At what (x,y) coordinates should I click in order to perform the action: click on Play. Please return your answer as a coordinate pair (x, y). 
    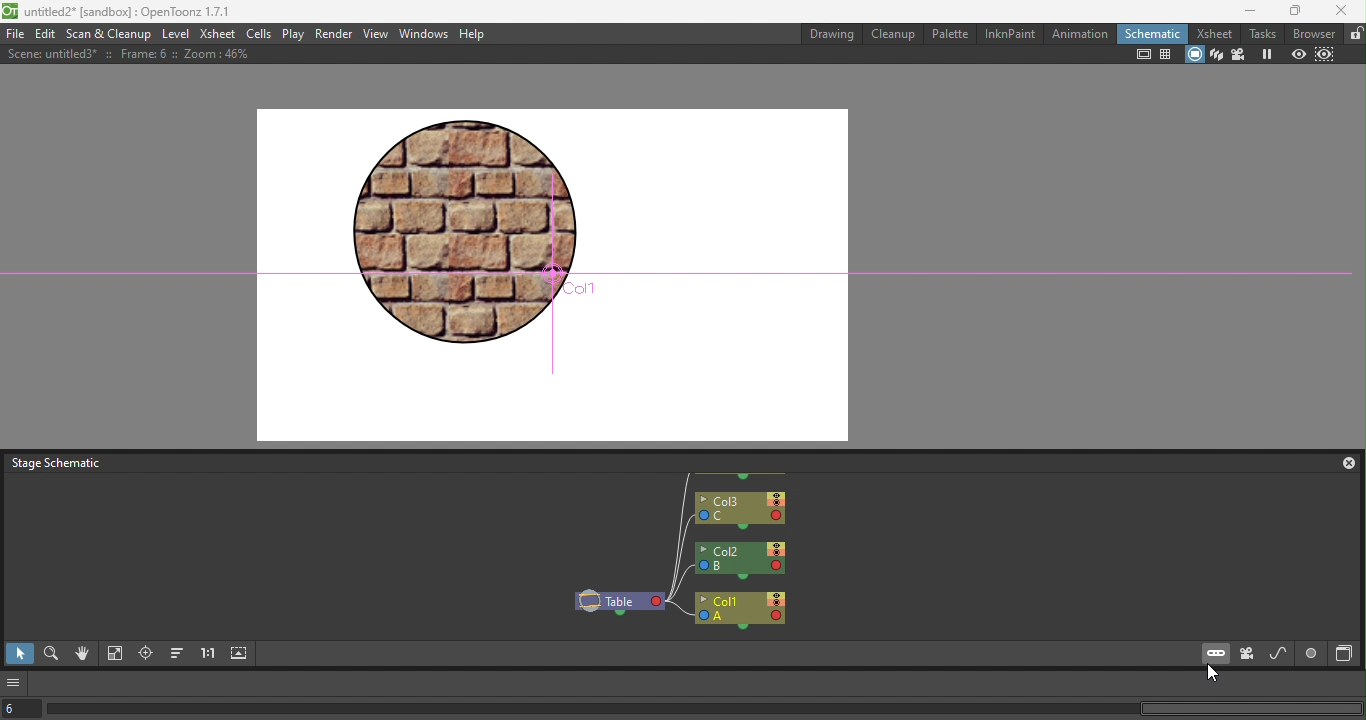
    Looking at the image, I should click on (293, 34).